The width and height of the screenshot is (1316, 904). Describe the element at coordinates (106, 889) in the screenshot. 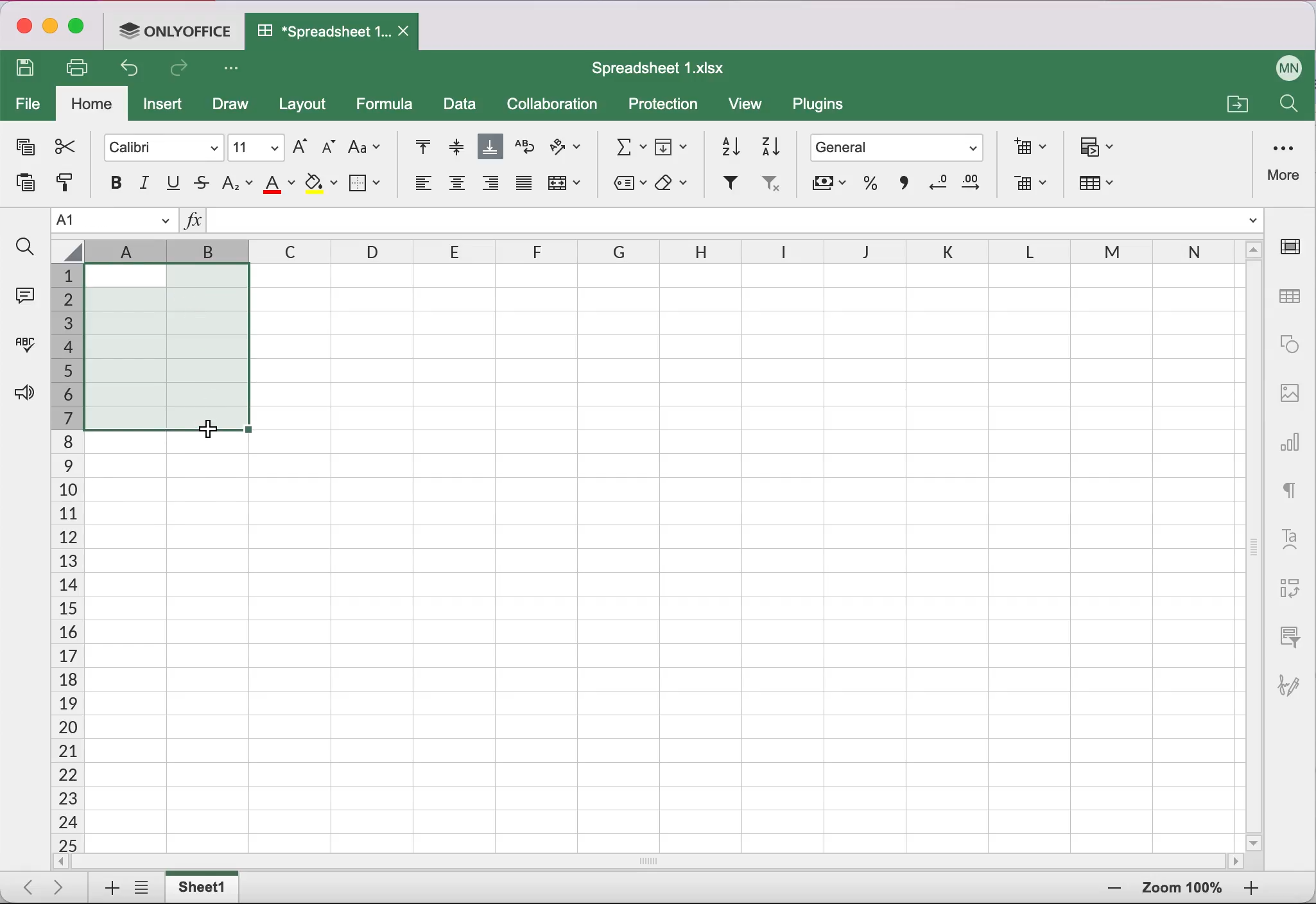

I see `add sheet` at that location.